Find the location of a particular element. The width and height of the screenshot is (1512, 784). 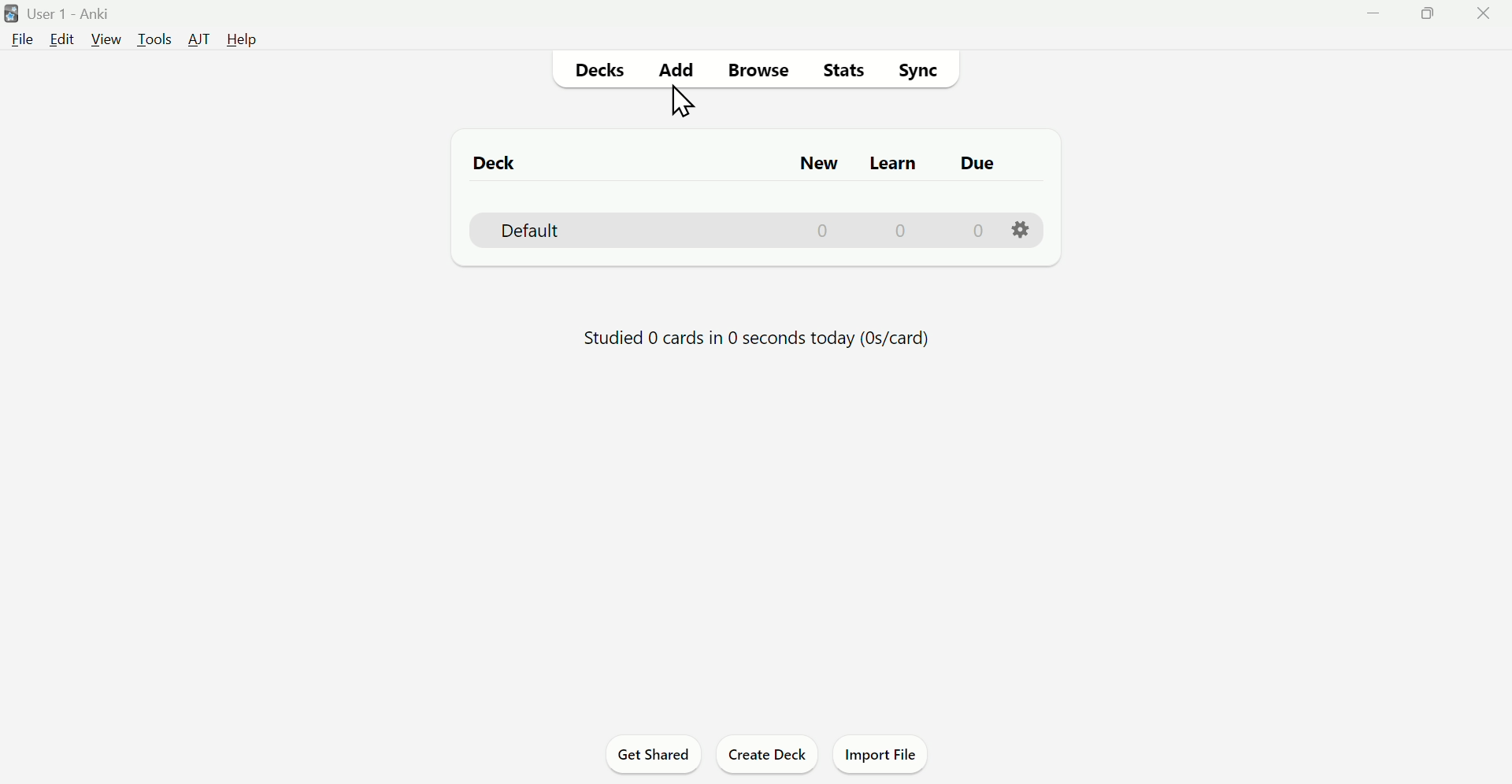

Due is located at coordinates (976, 161).